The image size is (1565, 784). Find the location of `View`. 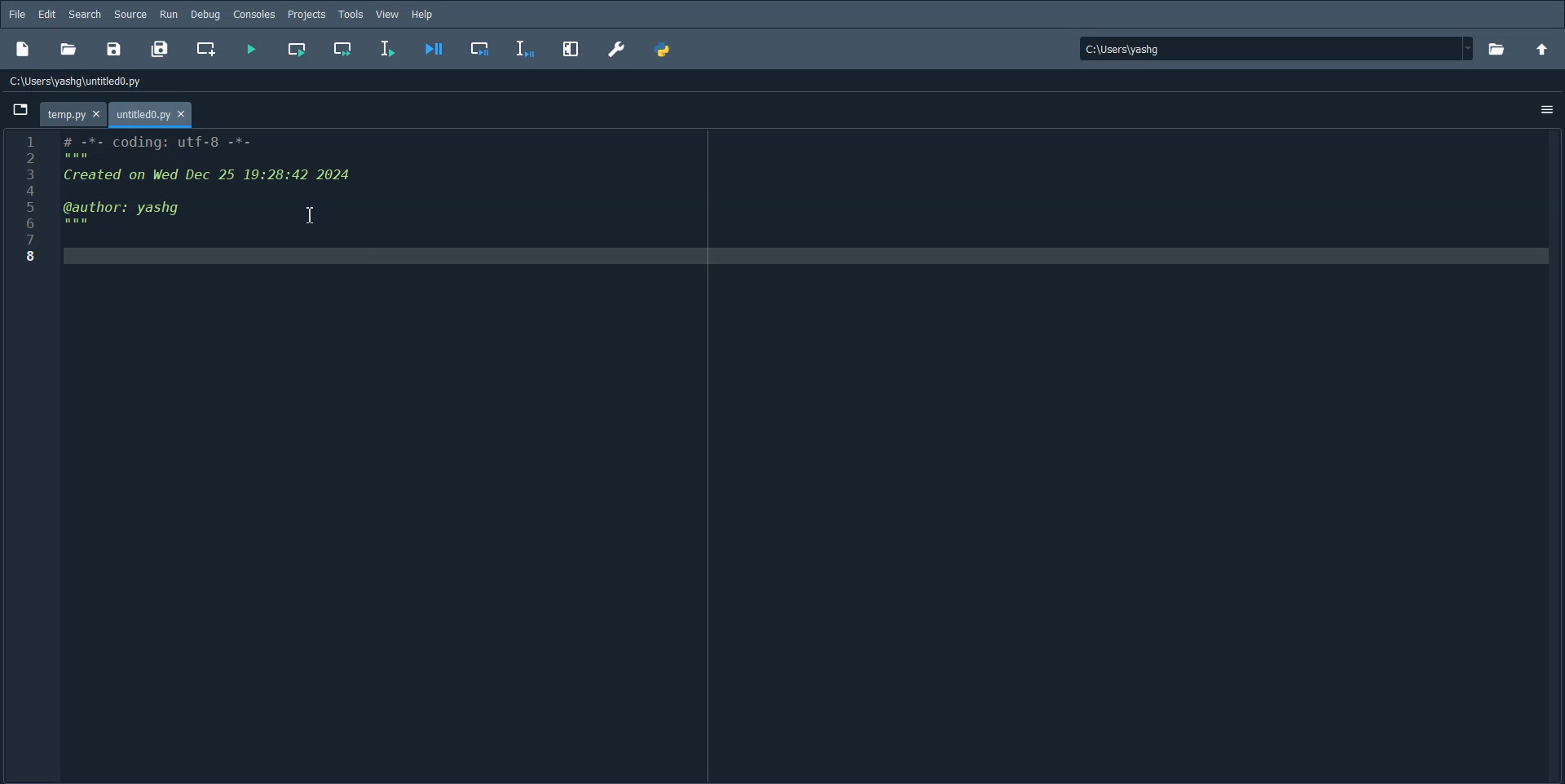

View is located at coordinates (388, 13).